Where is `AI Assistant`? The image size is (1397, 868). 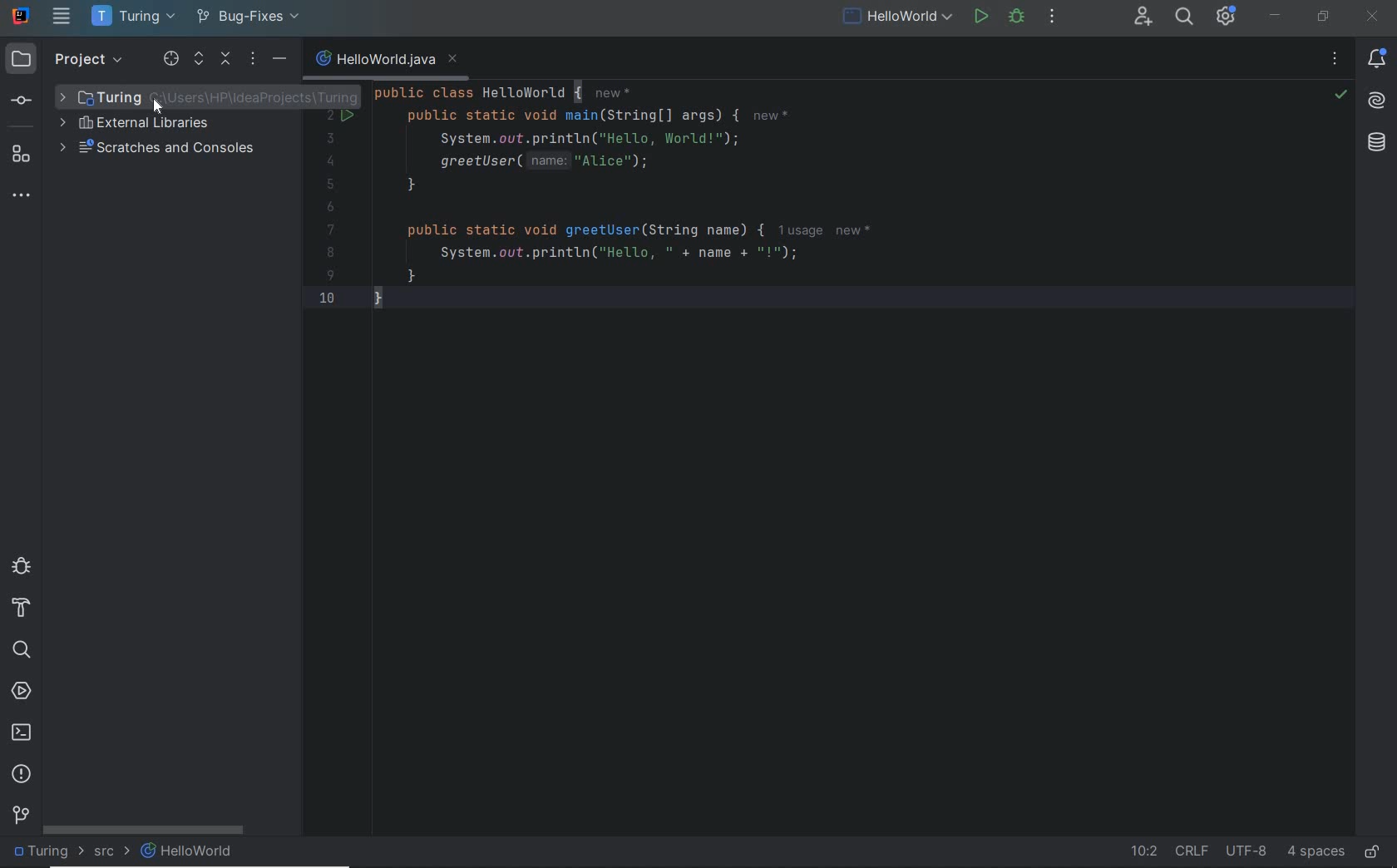 AI Assistant is located at coordinates (1377, 99).